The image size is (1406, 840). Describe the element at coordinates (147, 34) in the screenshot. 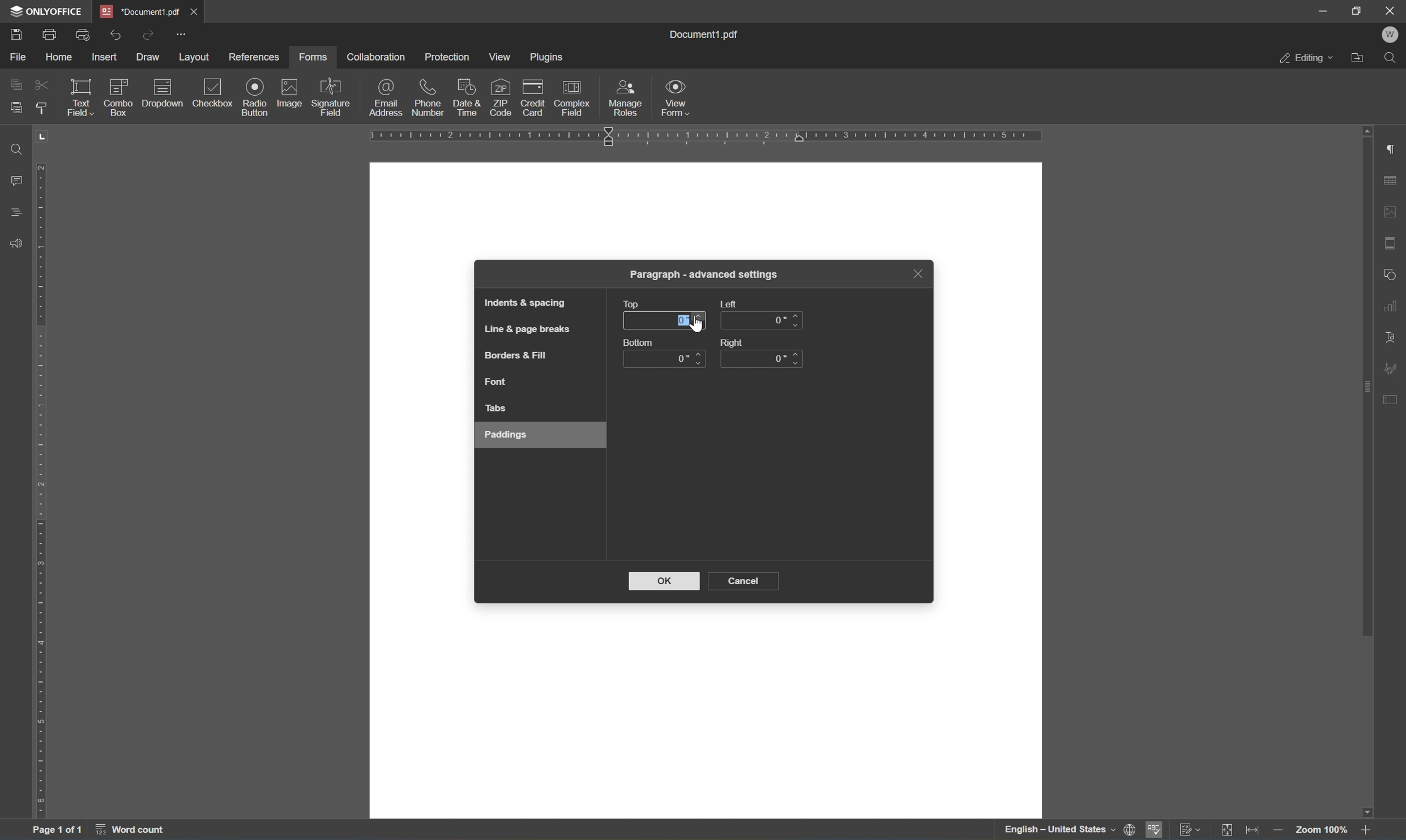

I see `redo` at that location.